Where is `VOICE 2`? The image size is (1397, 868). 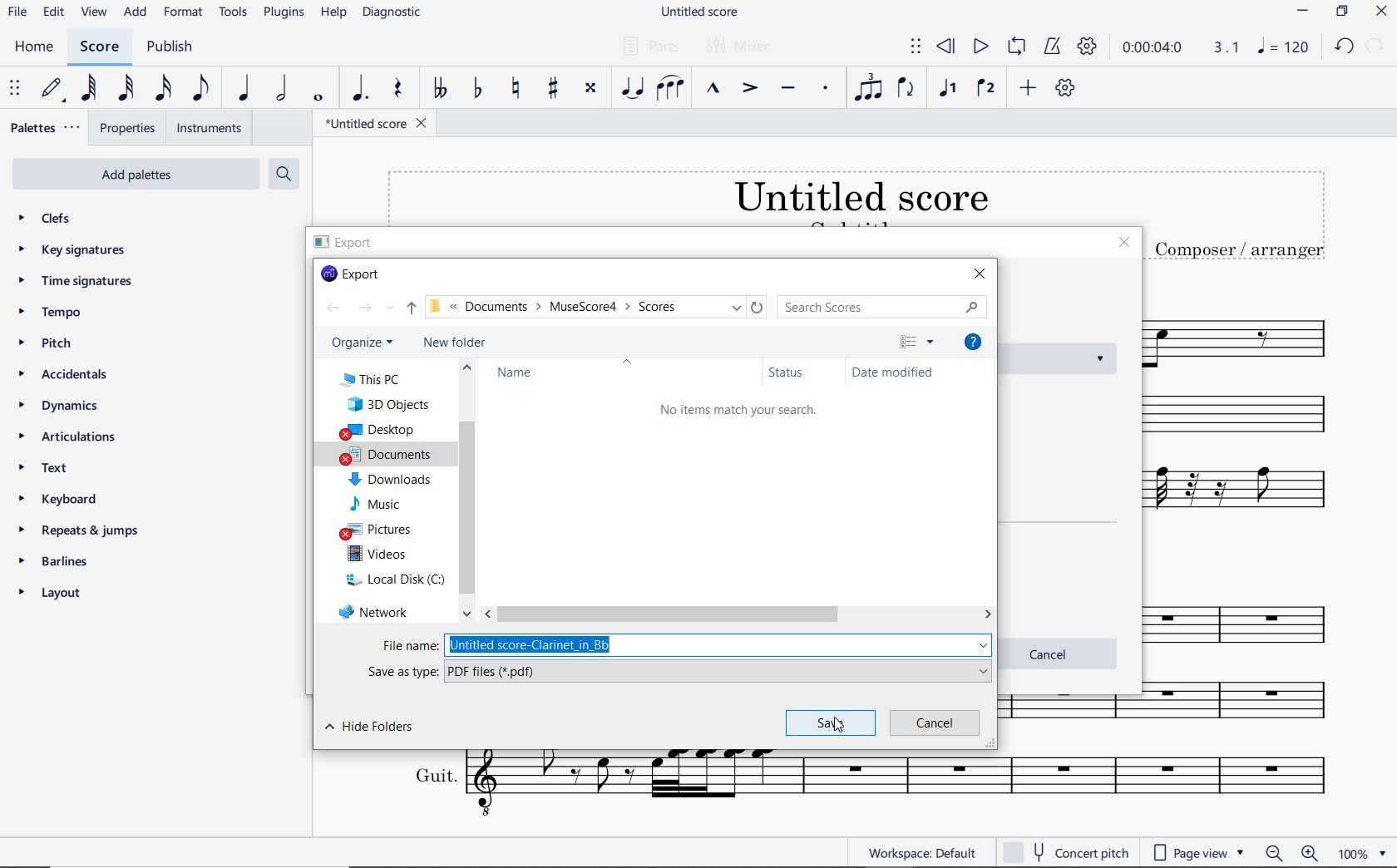 VOICE 2 is located at coordinates (987, 88).